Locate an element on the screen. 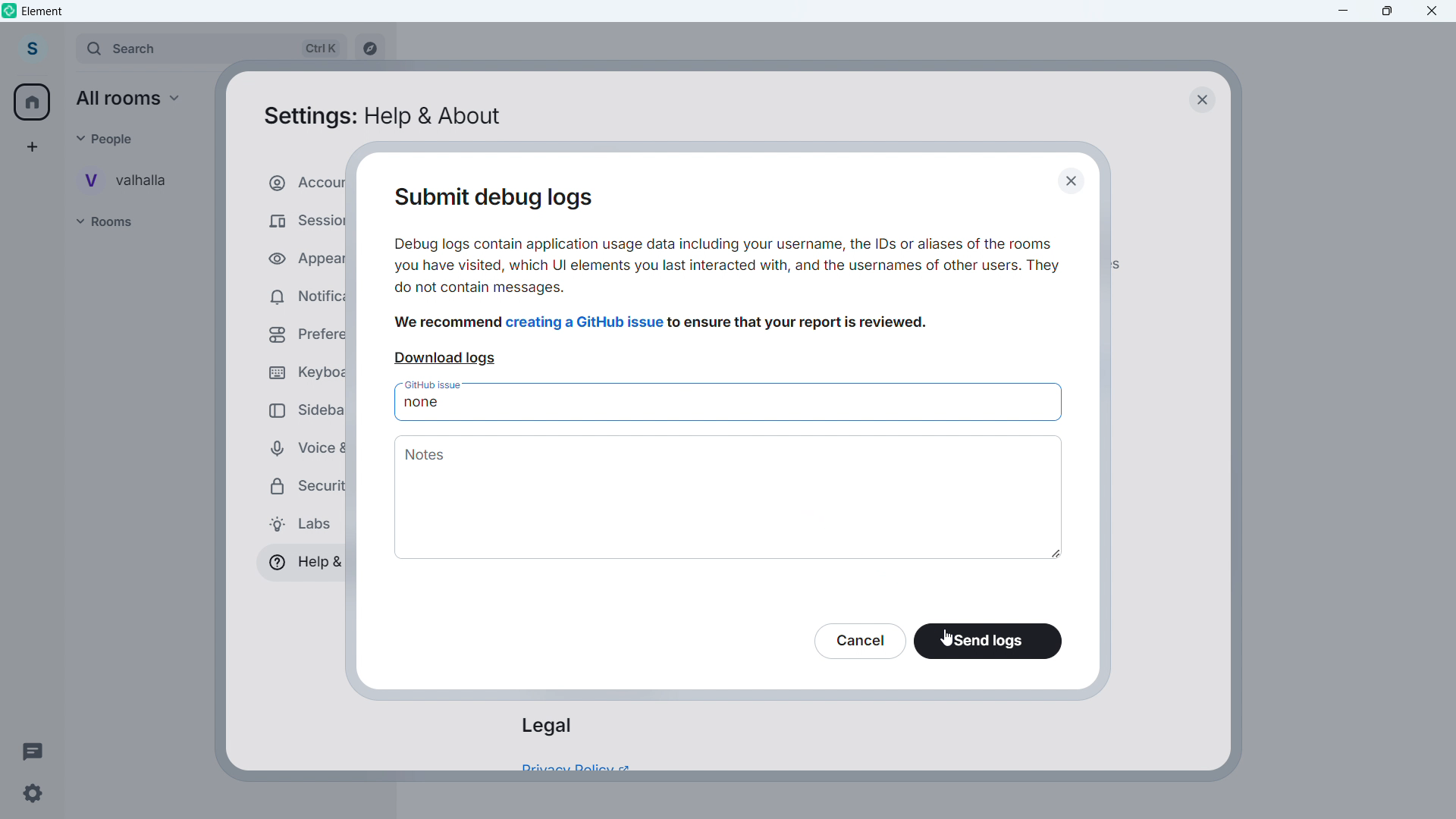 The height and width of the screenshot is (819, 1456). home  is located at coordinates (33, 102).